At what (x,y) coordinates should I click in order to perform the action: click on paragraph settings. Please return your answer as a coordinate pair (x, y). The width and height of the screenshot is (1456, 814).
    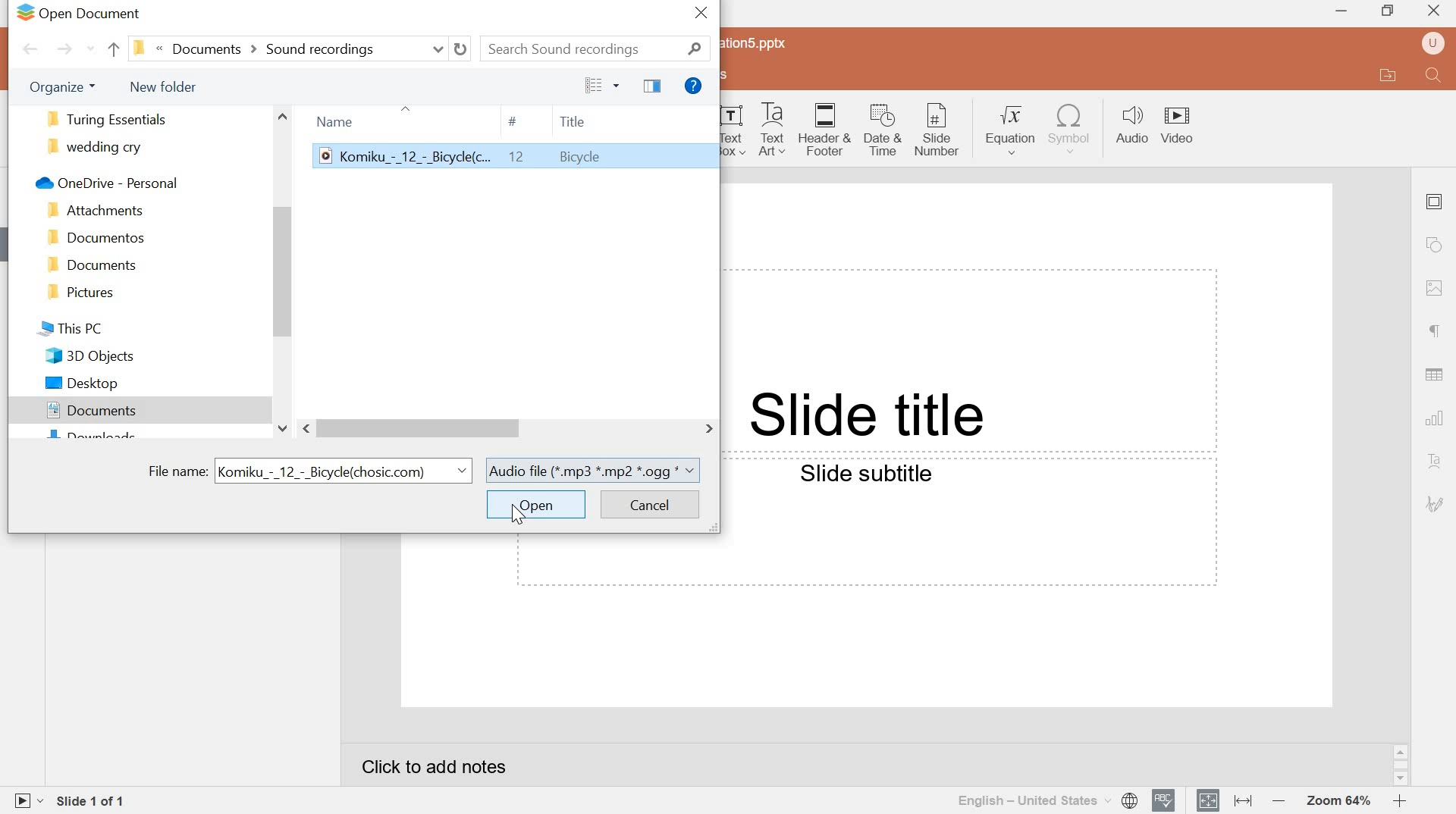
    Looking at the image, I should click on (1430, 332).